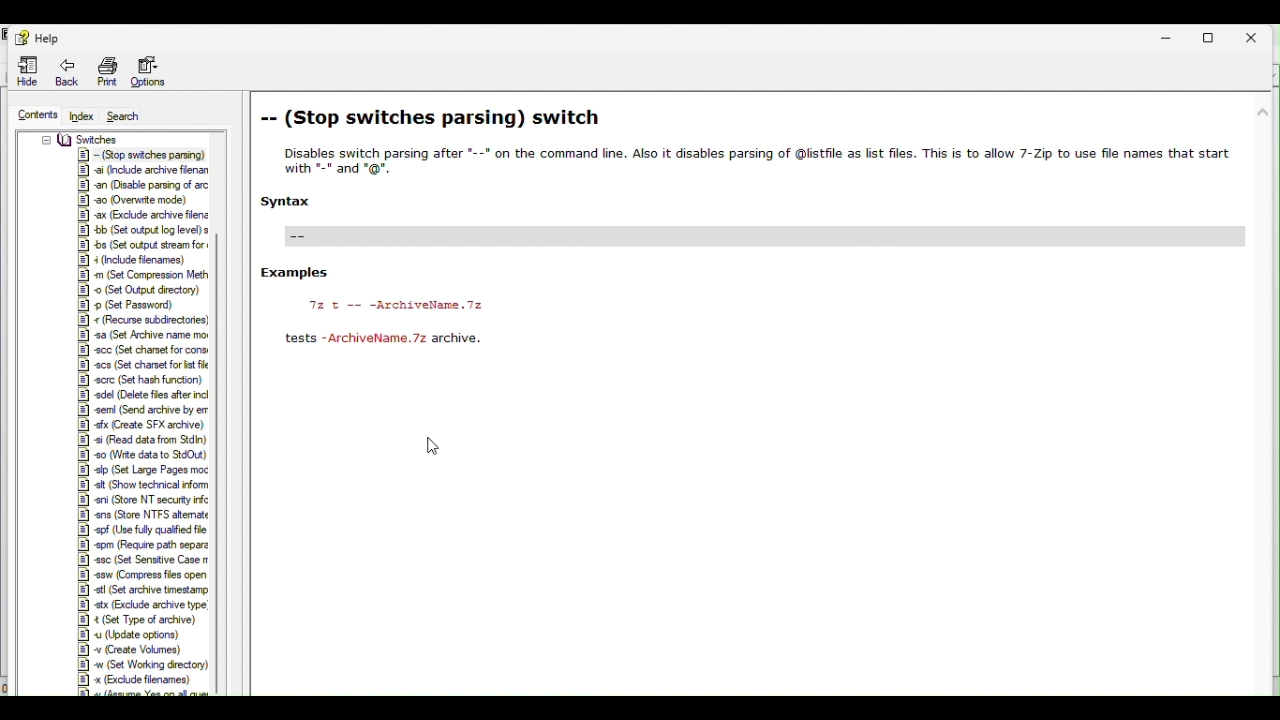 This screenshot has width=1280, height=720. Describe the element at coordinates (147, 424) in the screenshot. I see `` at that location.